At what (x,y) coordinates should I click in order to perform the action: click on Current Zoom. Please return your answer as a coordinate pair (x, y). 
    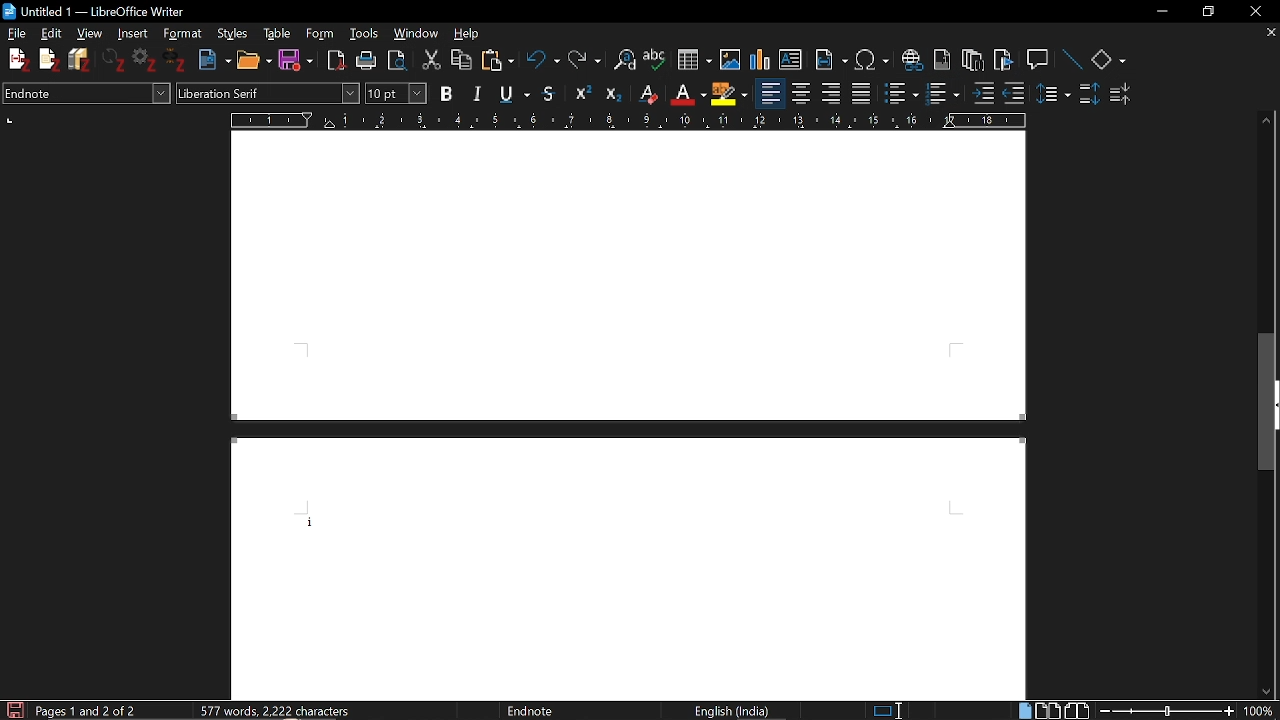
    Looking at the image, I should click on (1261, 711).